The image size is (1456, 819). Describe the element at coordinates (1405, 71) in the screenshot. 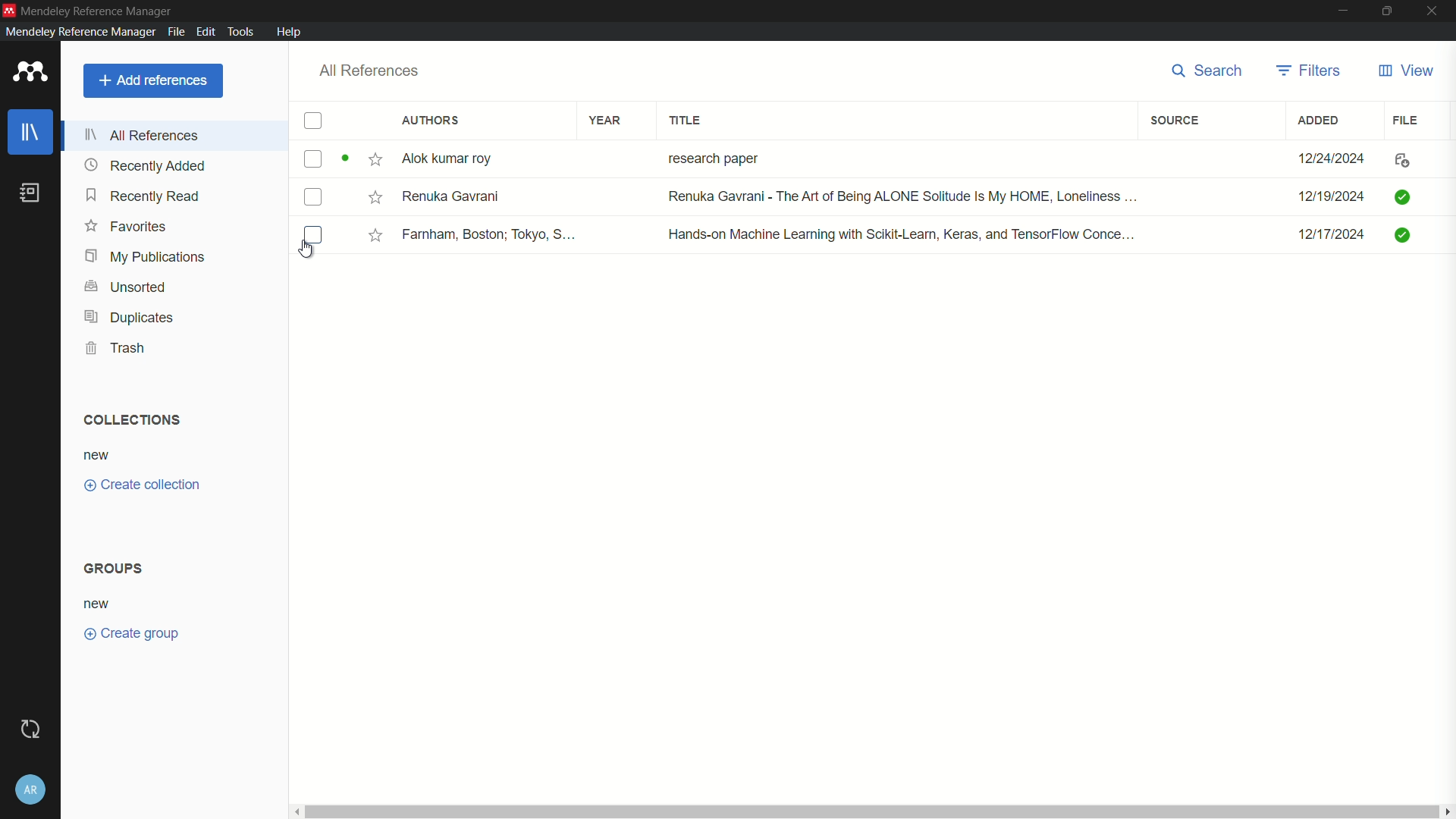

I see `view` at that location.